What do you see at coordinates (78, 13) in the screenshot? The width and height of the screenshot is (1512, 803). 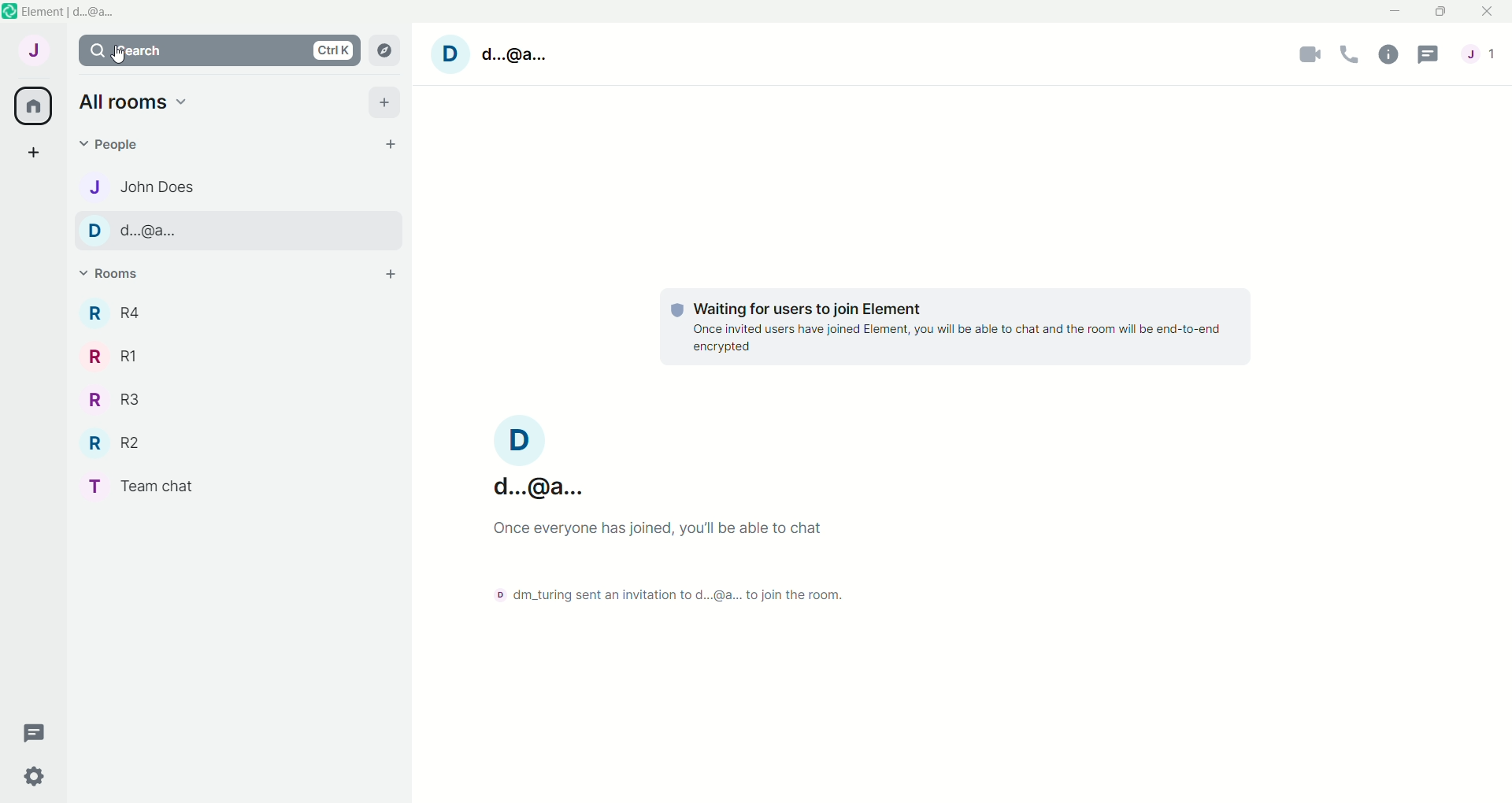 I see `element` at bounding box center [78, 13].